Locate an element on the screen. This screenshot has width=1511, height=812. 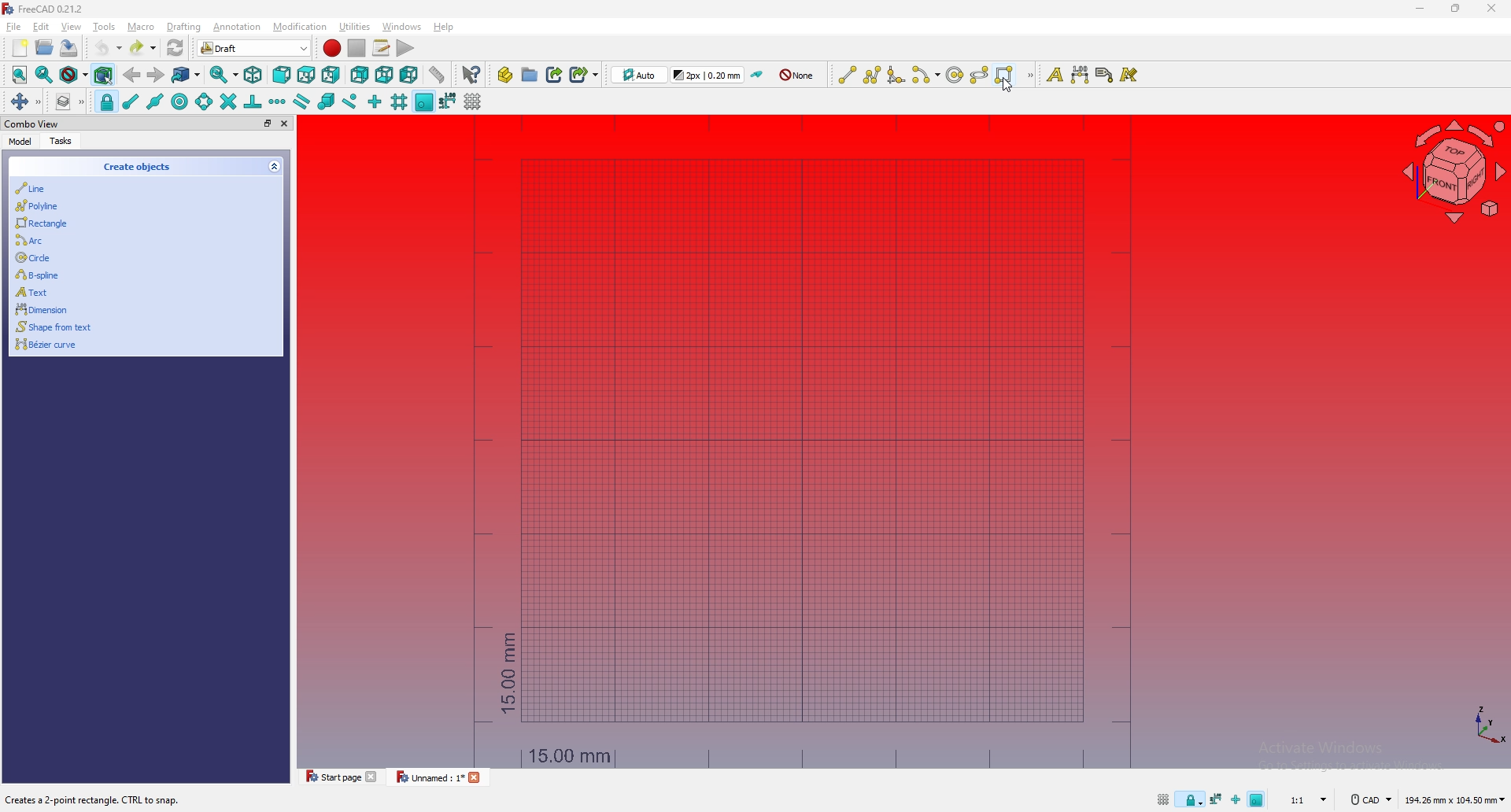
rear is located at coordinates (360, 76).